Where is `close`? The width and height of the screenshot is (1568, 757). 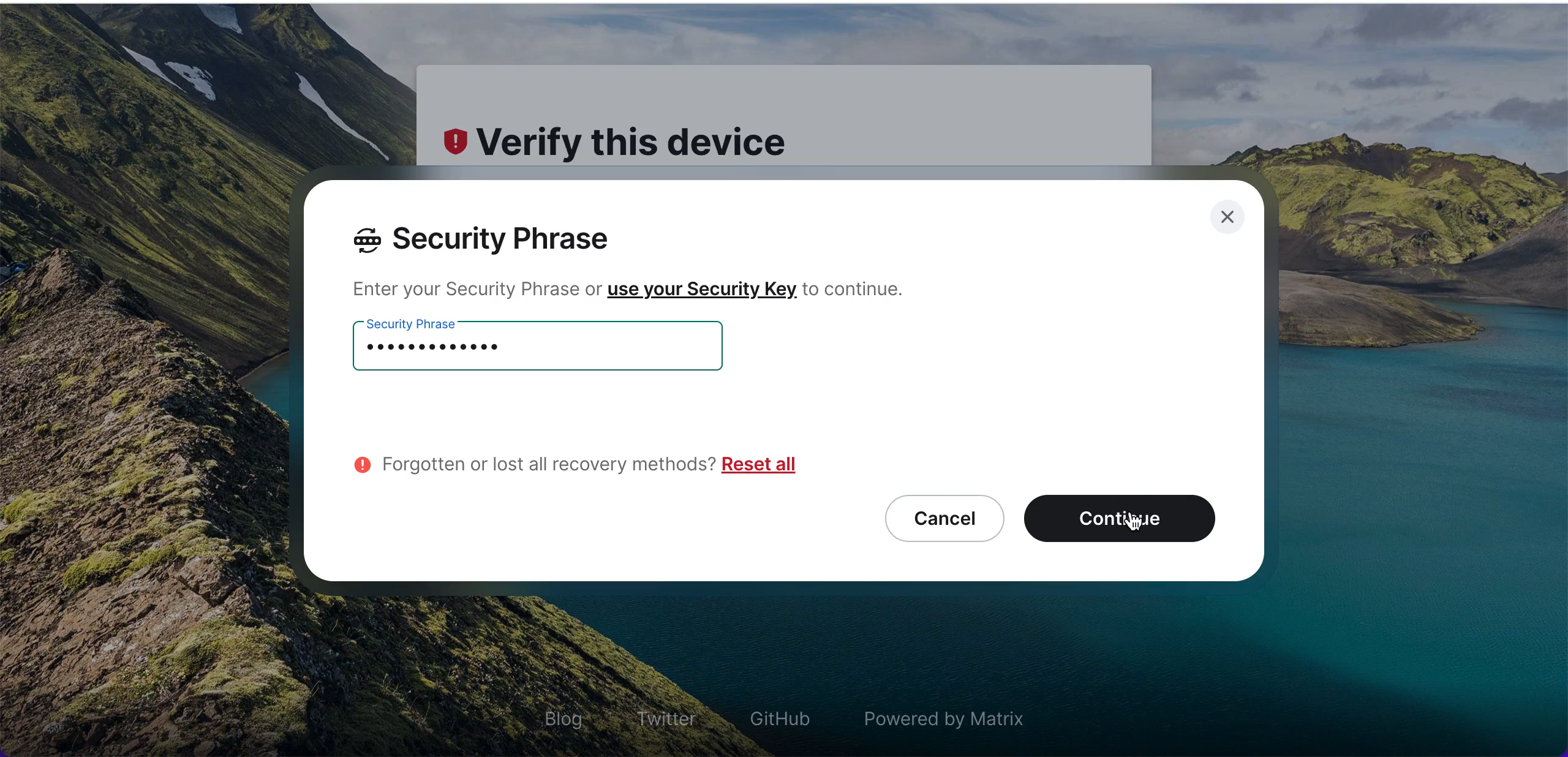
close is located at coordinates (1229, 220).